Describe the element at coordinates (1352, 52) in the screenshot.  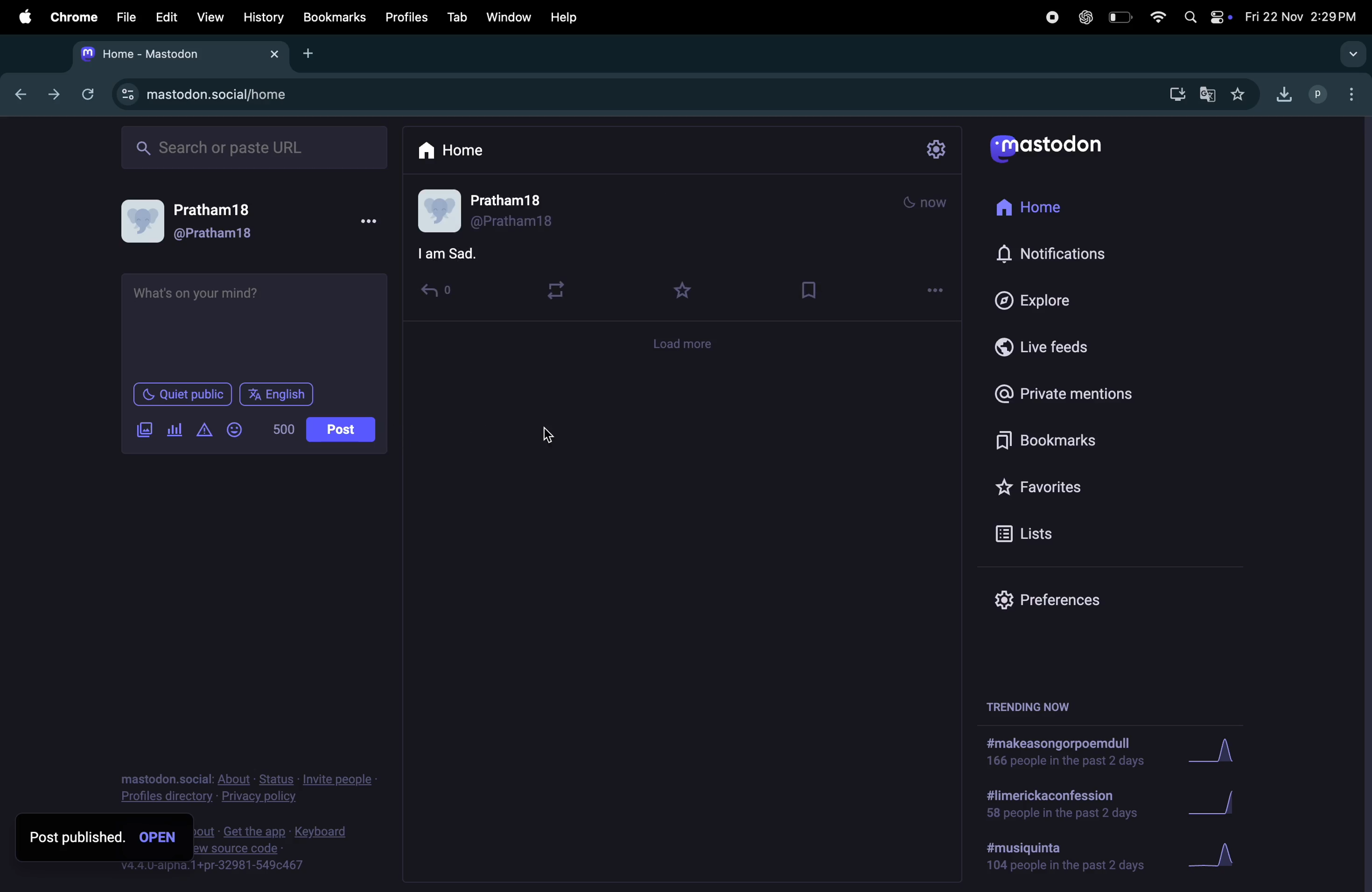
I see `search tab` at that location.